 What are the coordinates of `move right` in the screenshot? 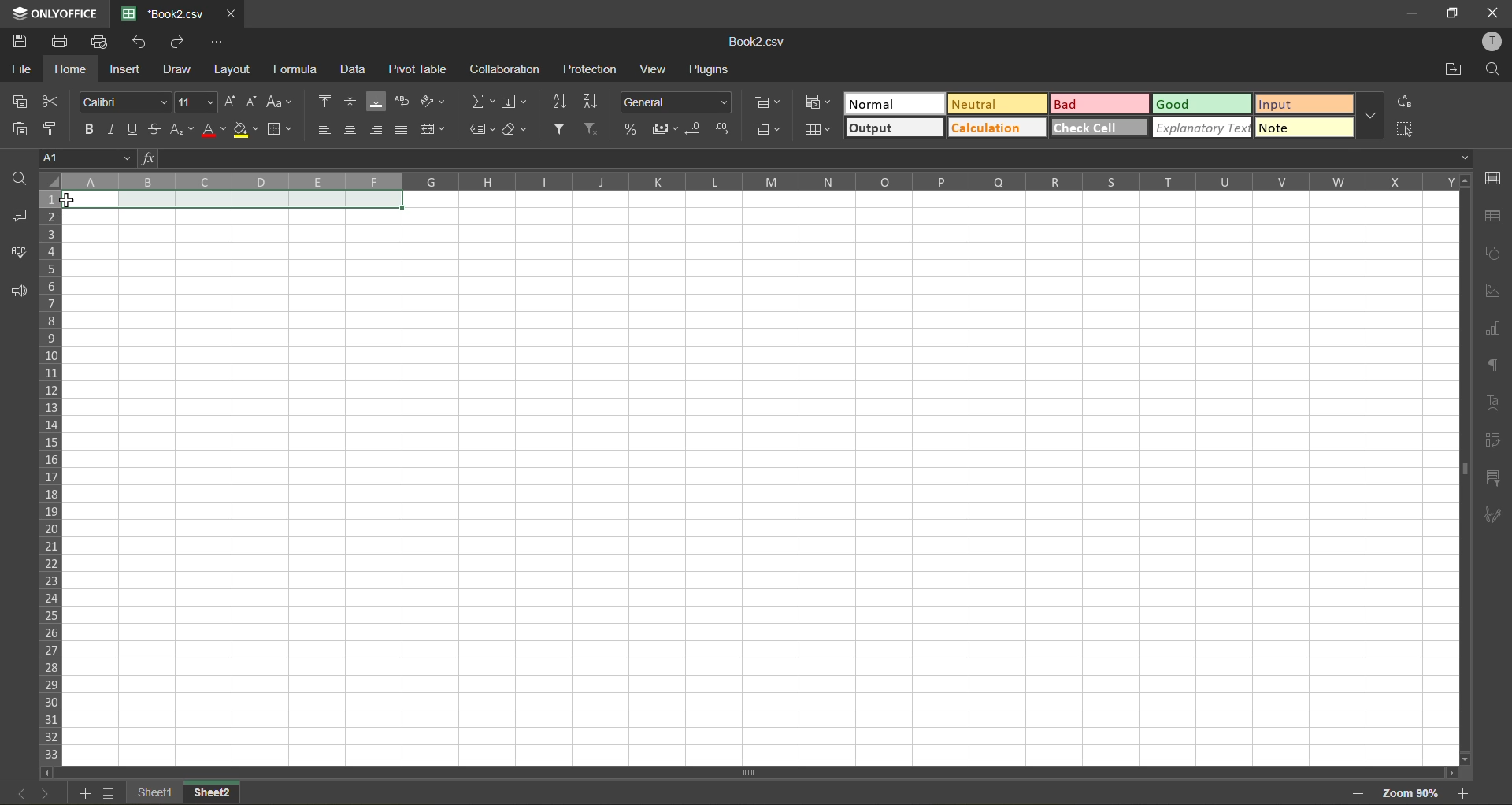 It's located at (1450, 772).